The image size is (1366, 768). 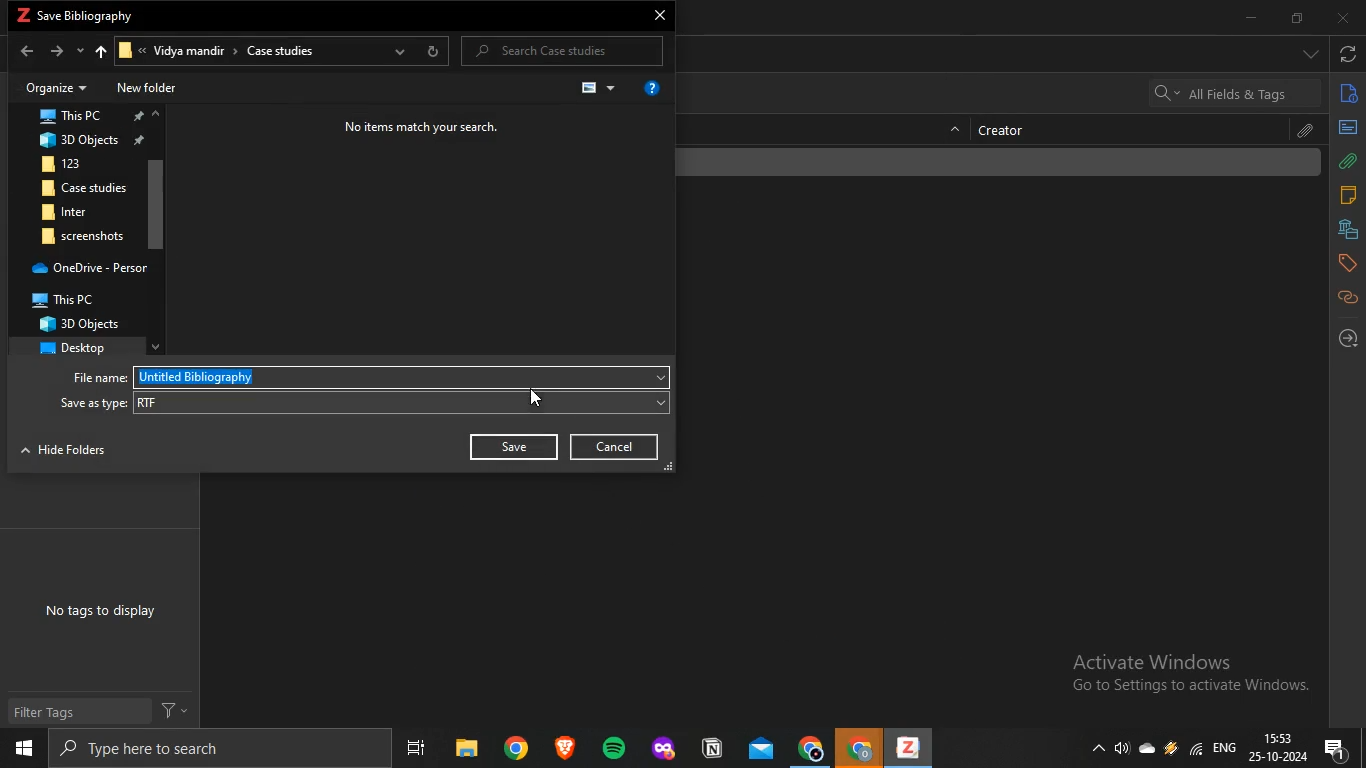 What do you see at coordinates (53, 53) in the screenshot?
I see `forward` at bounding box center [53, 53].